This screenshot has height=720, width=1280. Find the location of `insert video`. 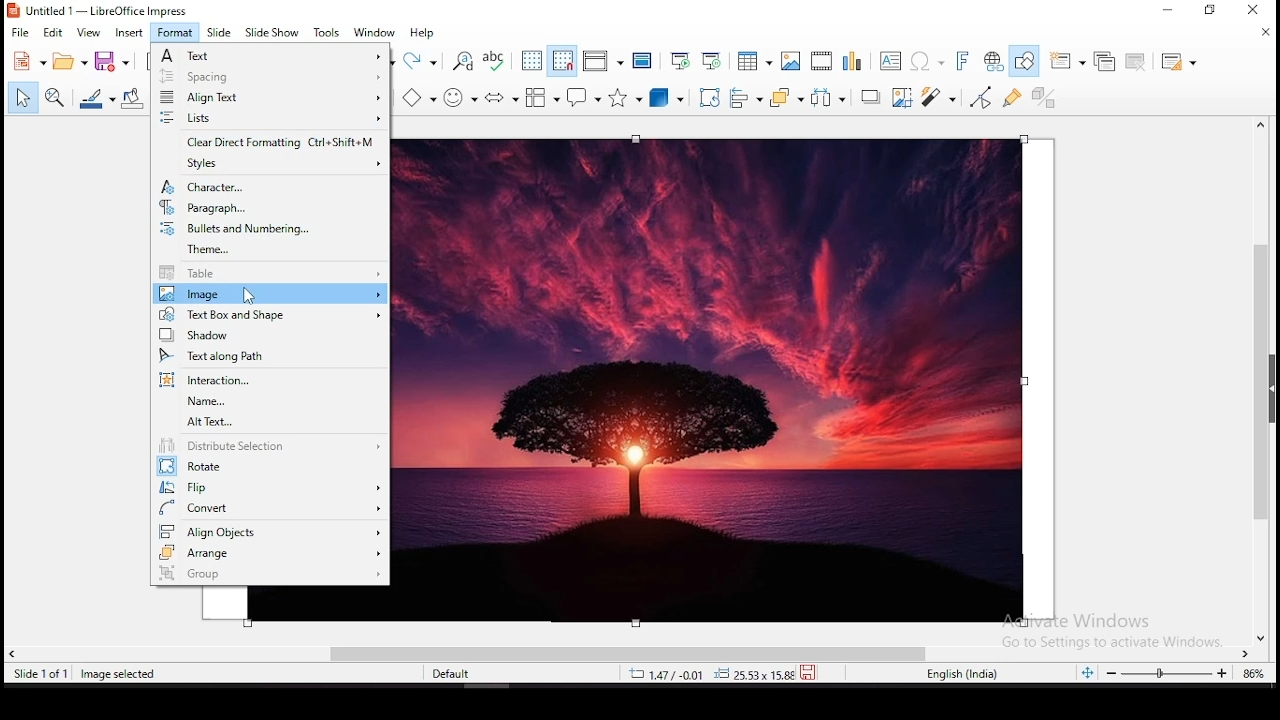

insert video is located at coordinates (821, 62).